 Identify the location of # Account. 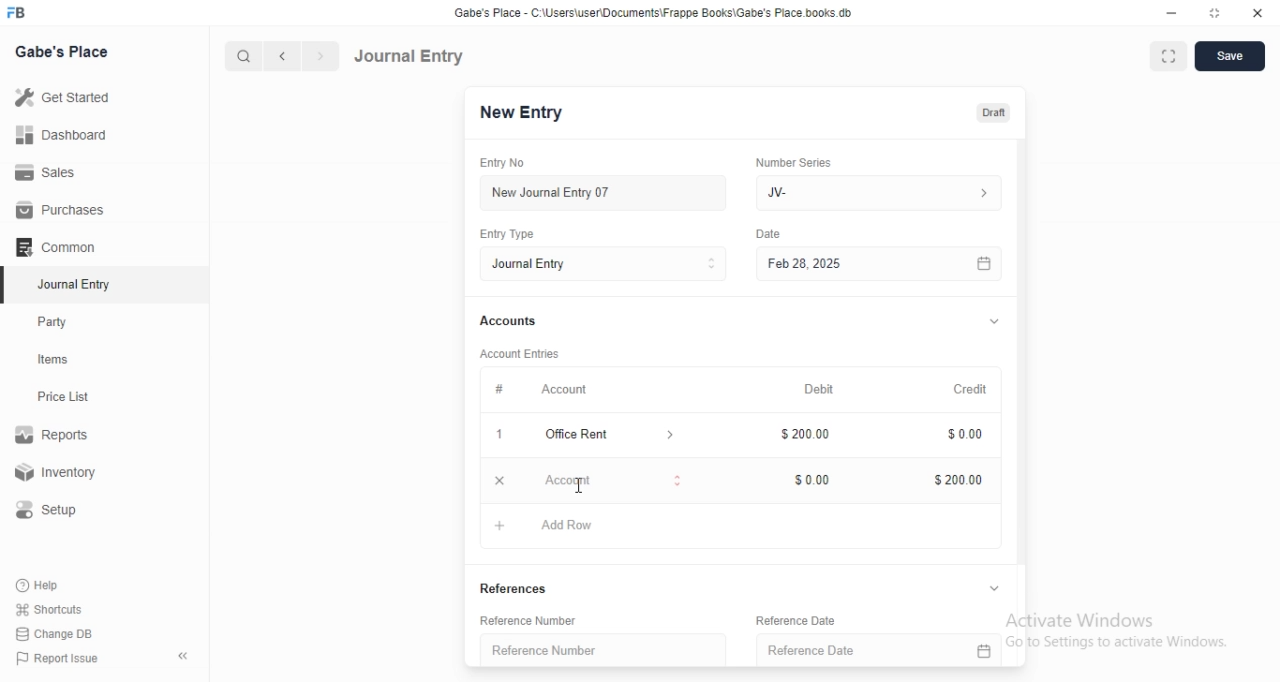
(538, 390).